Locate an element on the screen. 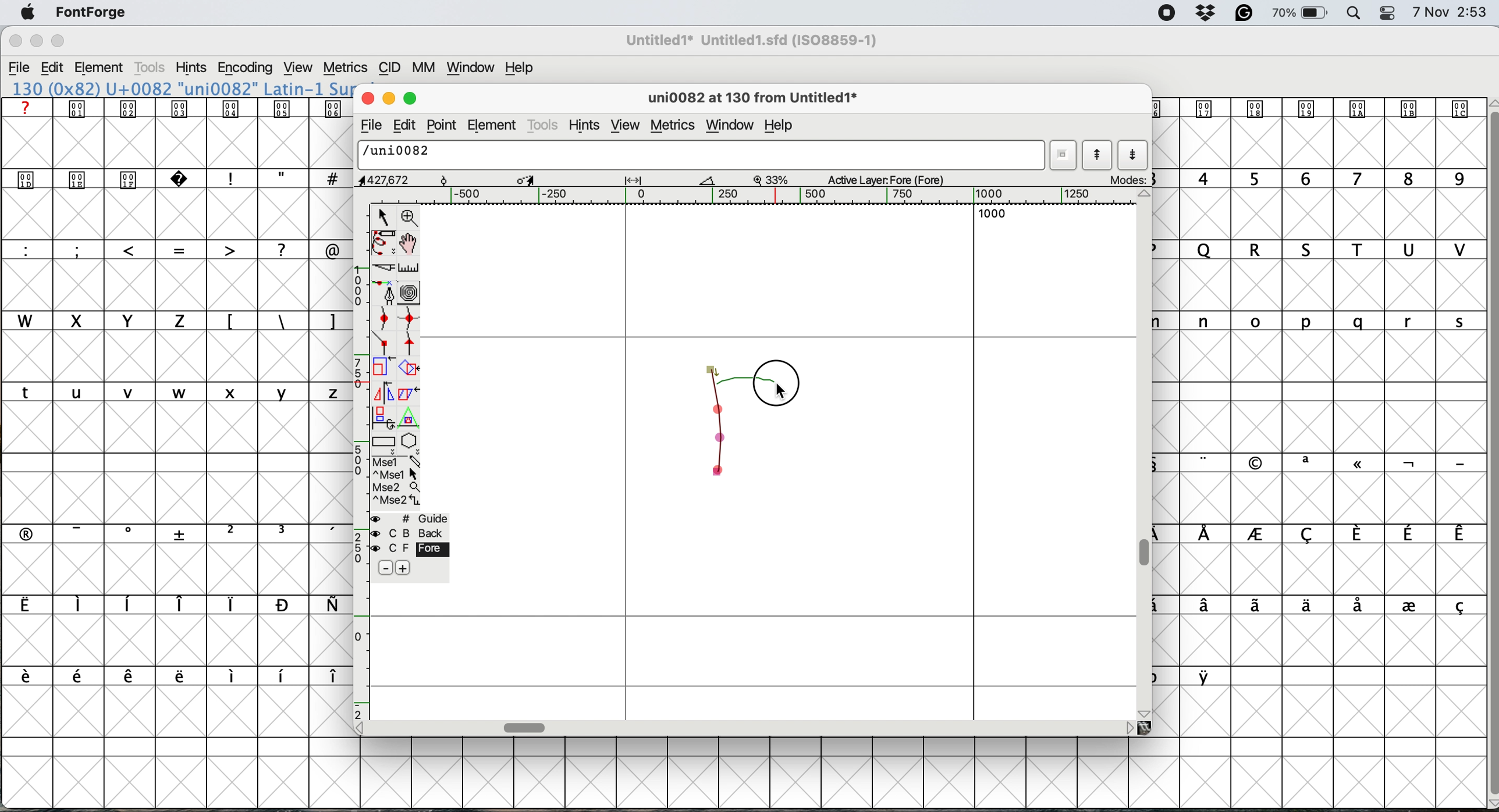 Image resolution: width=1499 pixels, height=812 pixels. minimise is located at coordinates (389, 99).